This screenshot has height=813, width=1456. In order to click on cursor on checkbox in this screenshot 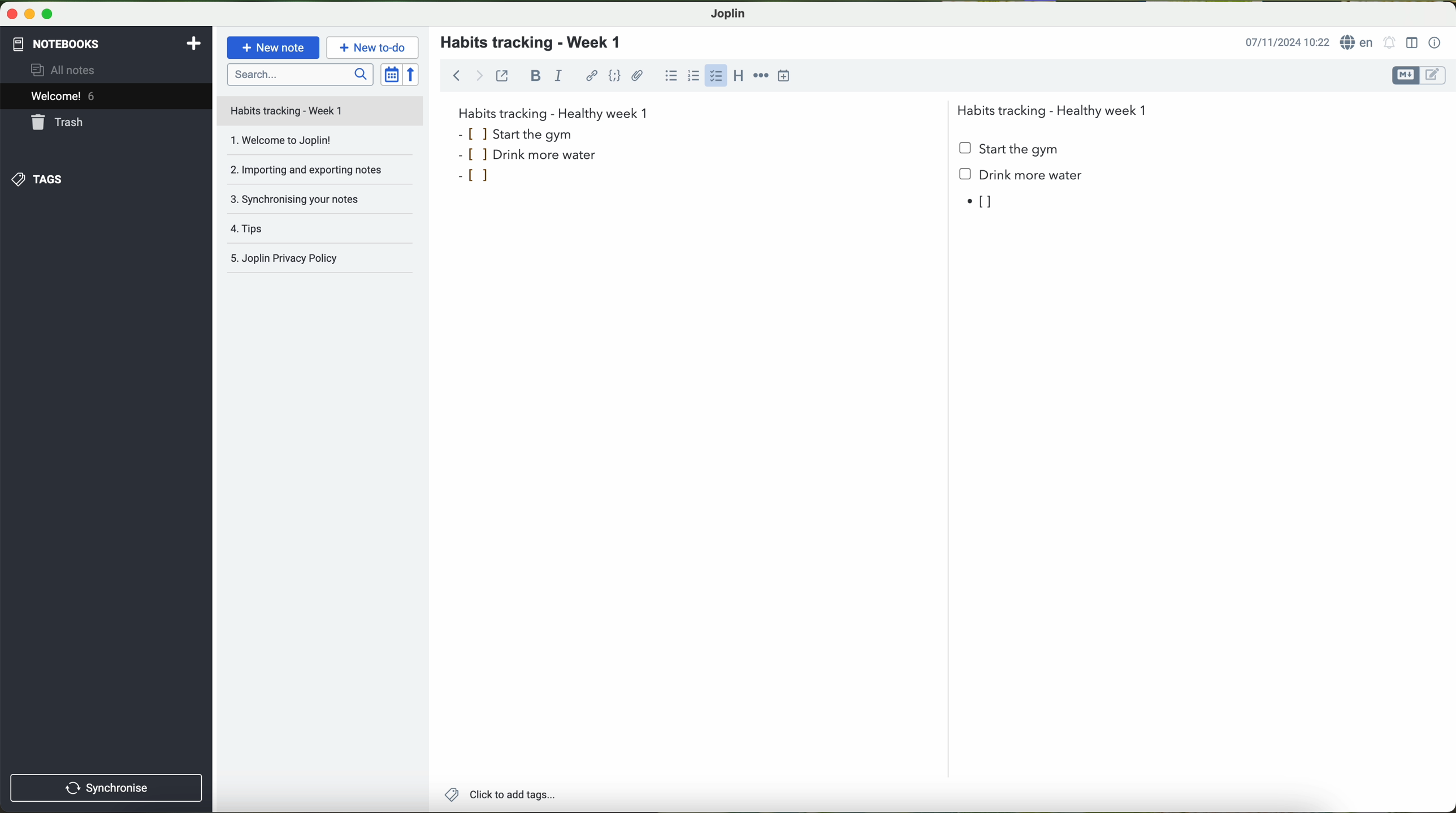, I will do `click(717, 79)`.